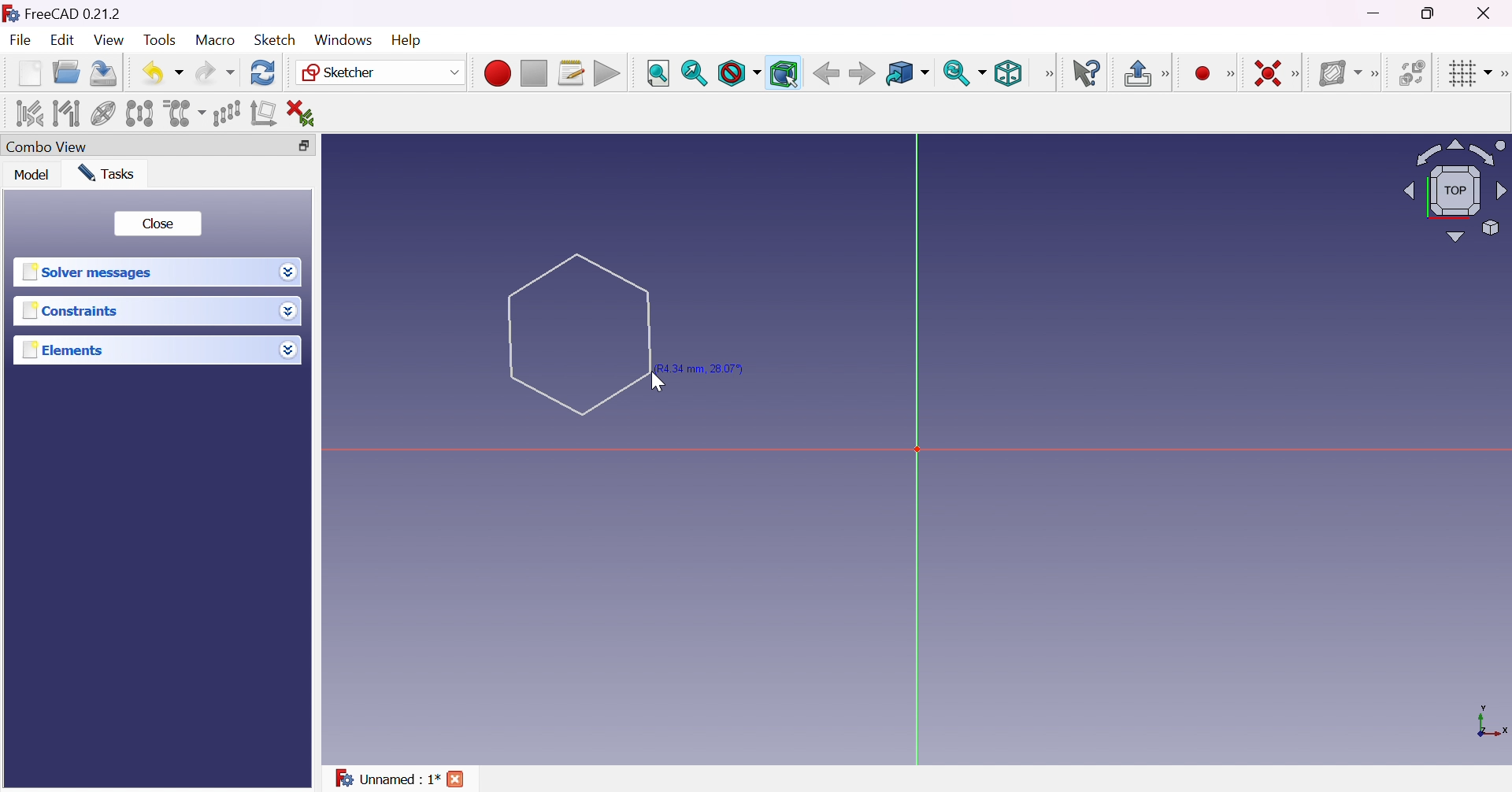  Describe the element at coordinates (1230, 74) in the screenshot. I see `[Sketcher geometries]]` at that location.